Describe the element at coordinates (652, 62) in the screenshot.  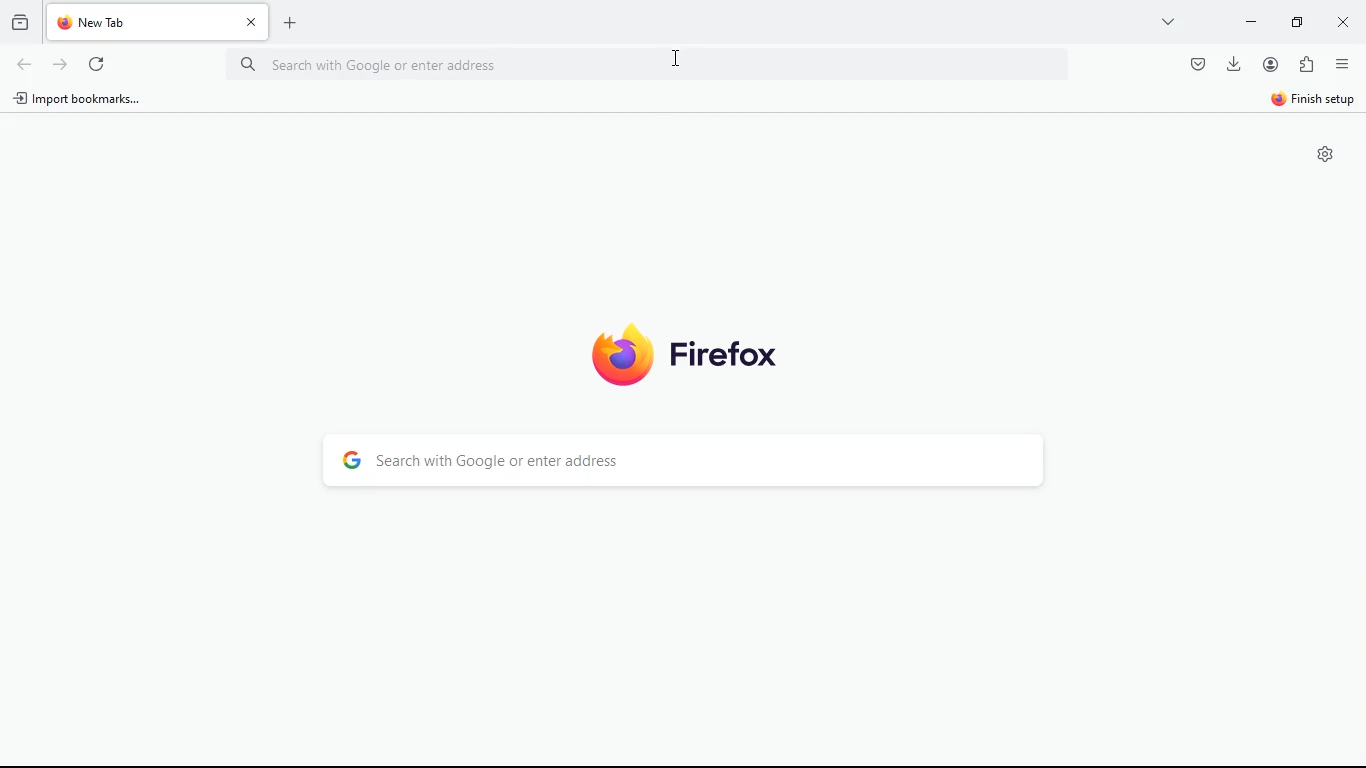
I see `Search bar` at that location.